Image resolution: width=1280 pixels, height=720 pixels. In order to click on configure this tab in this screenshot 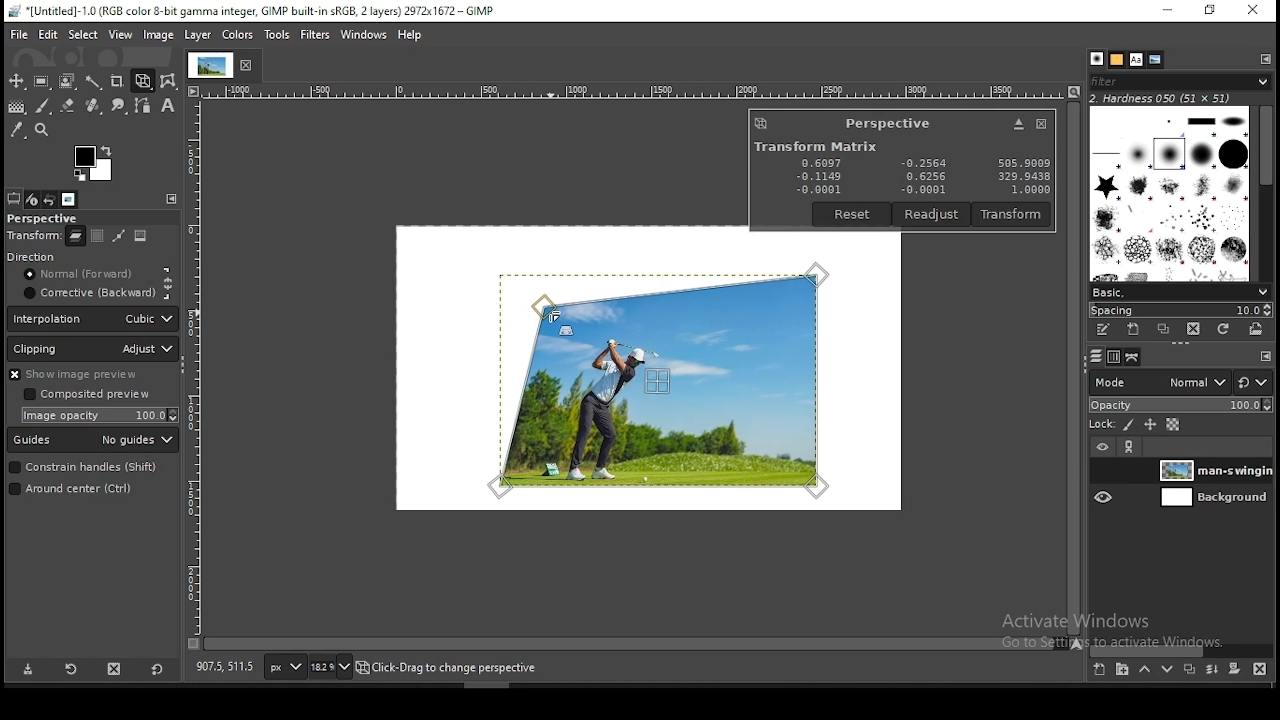, I will do `click(1263, 355)`.